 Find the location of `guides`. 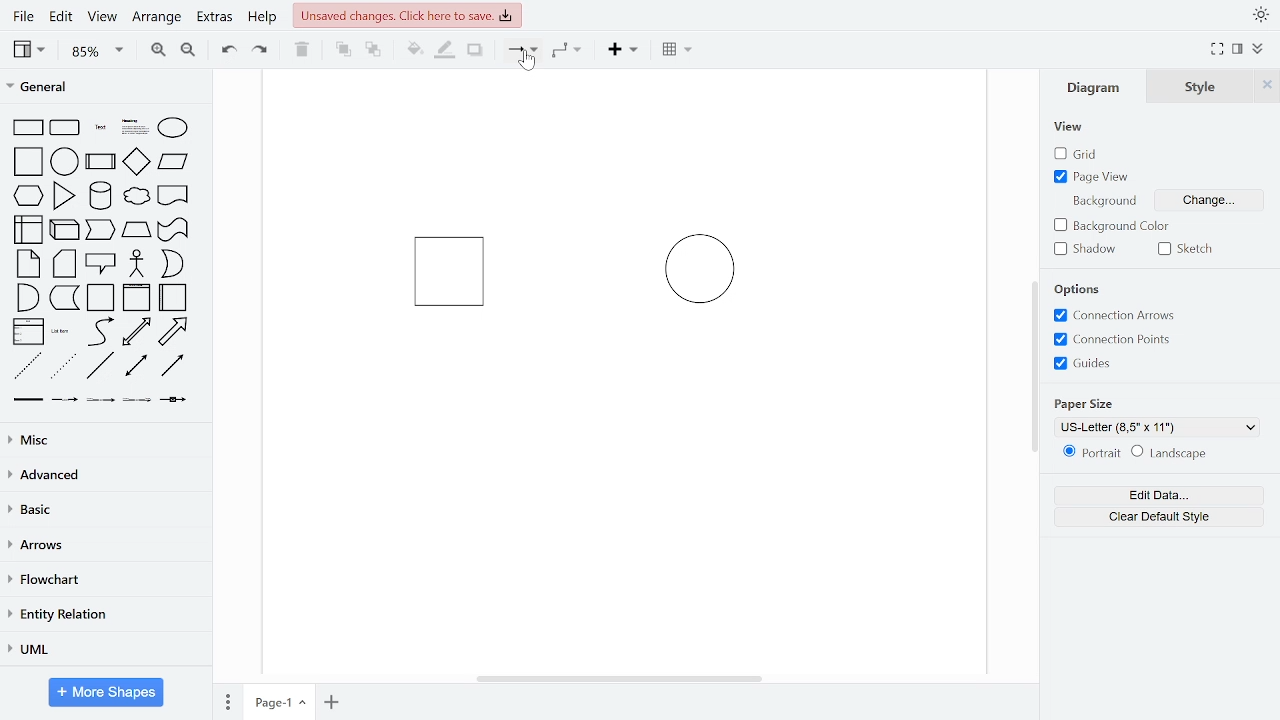

guides is located at coordinates (1083, 363).